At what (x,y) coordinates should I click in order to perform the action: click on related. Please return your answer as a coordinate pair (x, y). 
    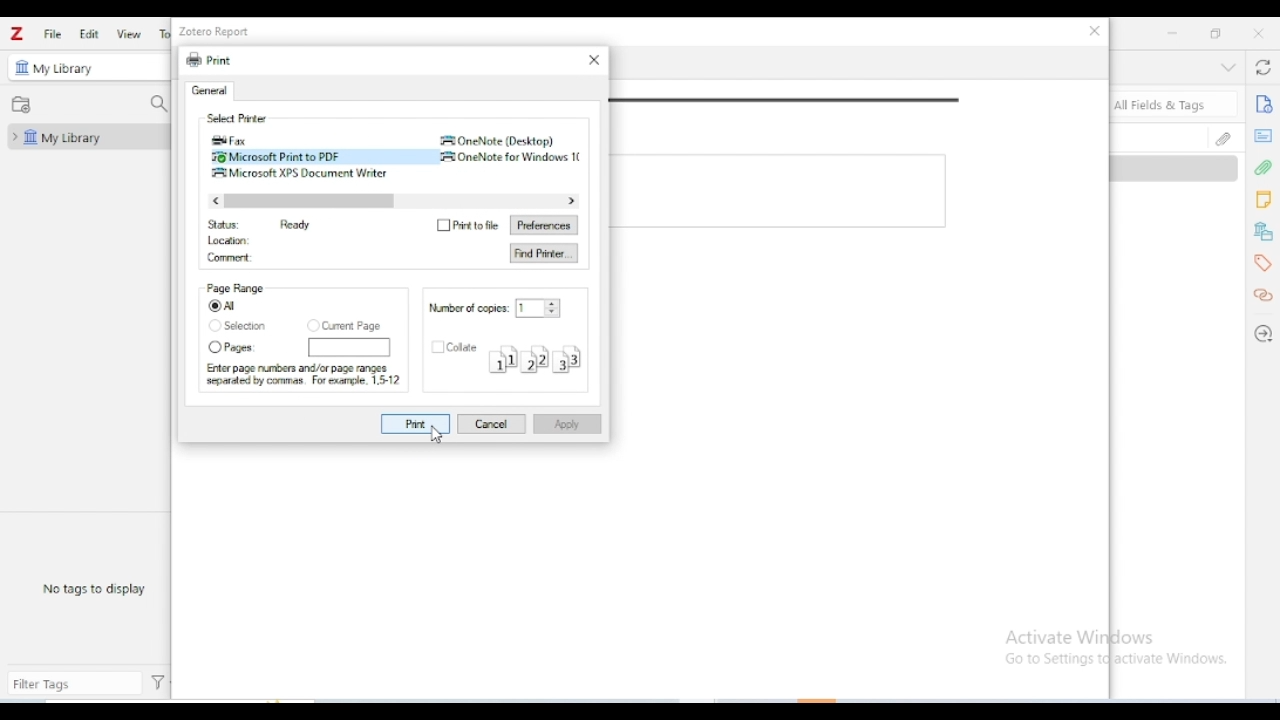
    Looking at the image, I should click on (1262, 295).